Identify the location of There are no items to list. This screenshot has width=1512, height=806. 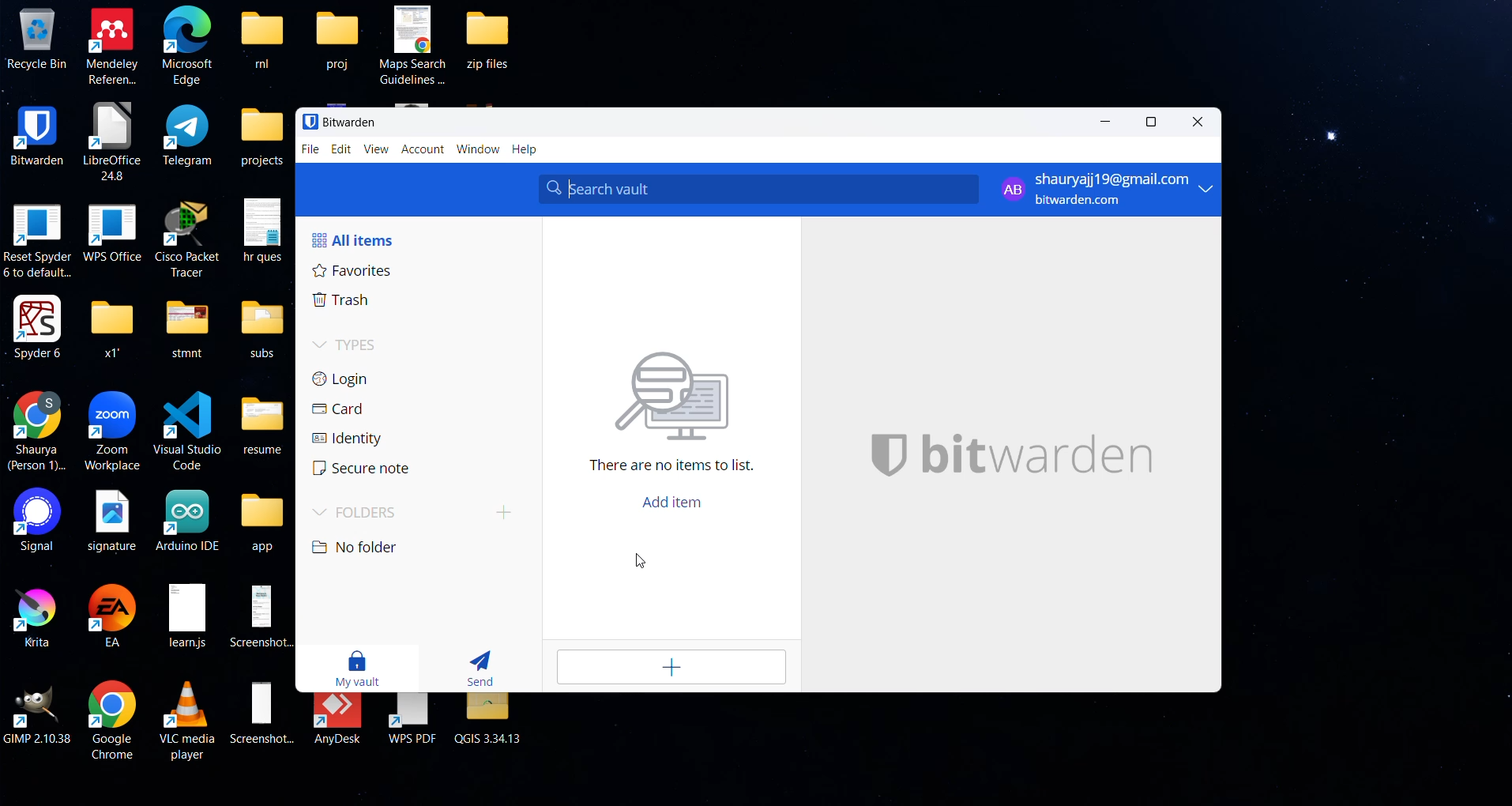
(672, 408).